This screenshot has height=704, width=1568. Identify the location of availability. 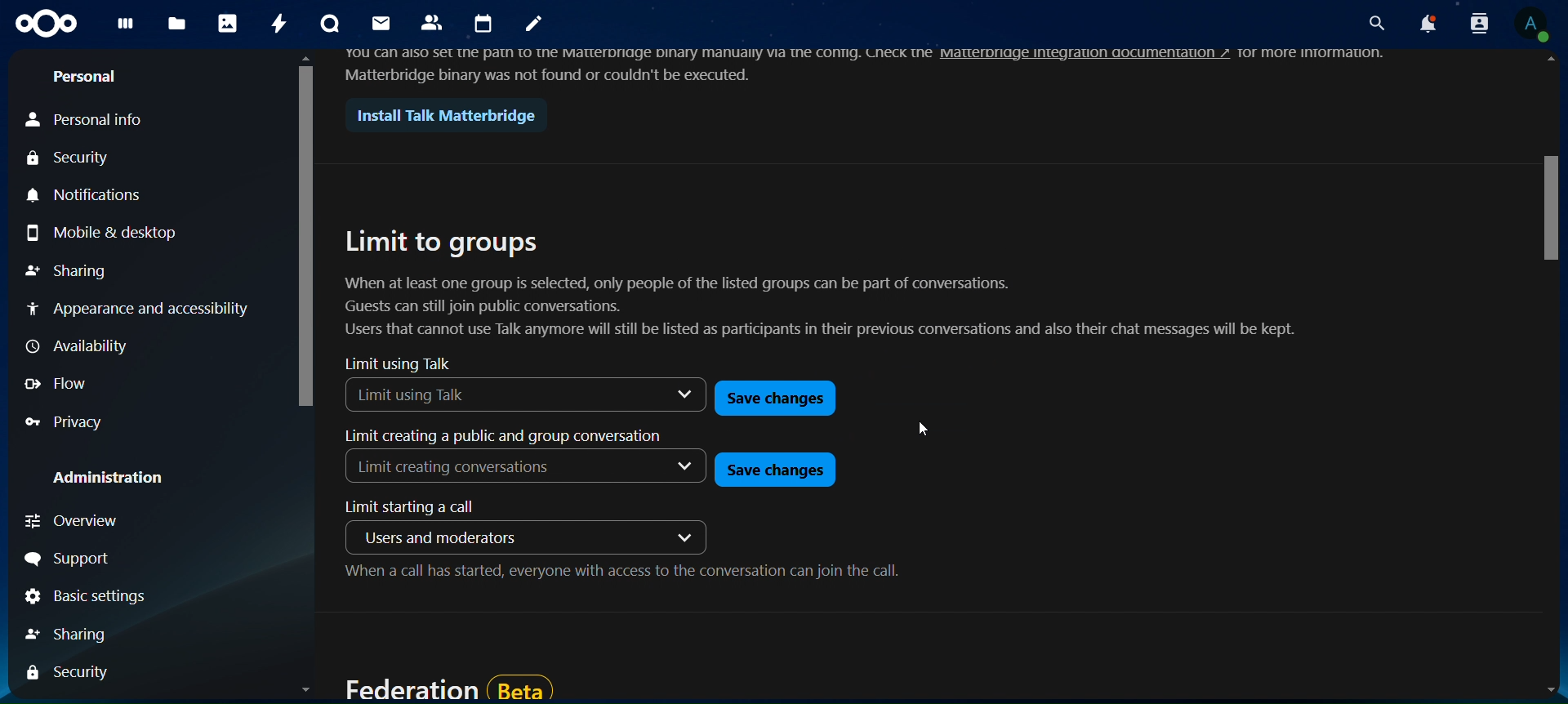
(79, 347).